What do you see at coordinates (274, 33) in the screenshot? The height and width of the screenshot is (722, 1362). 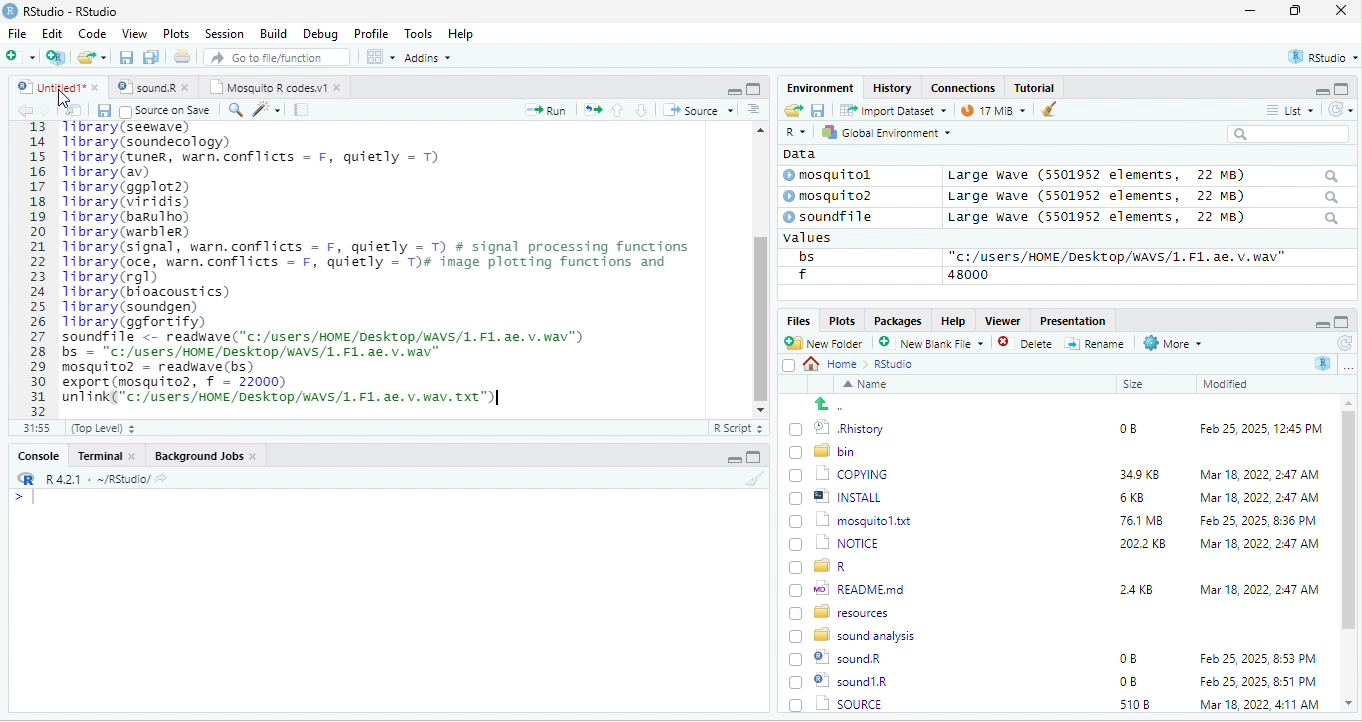 I see `Build` at bounding box center [274, 33].